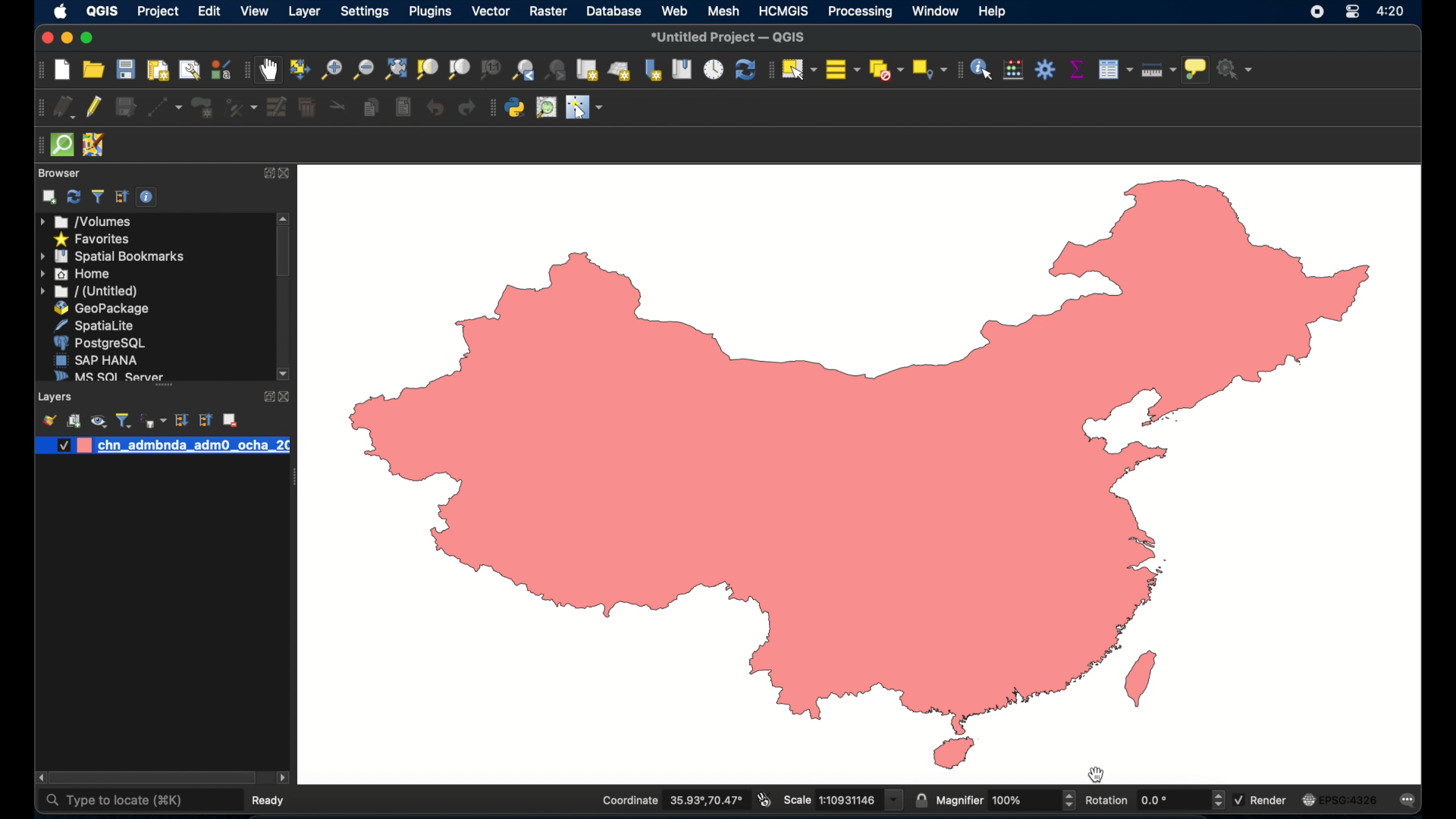  I want to click on messages, so click(1410, 800).